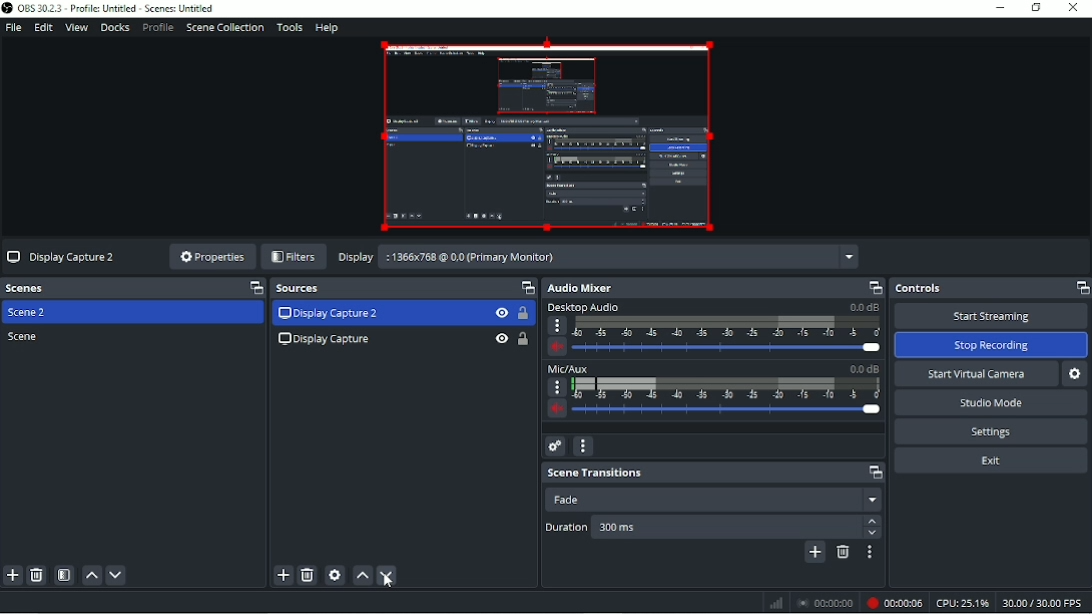 The height and width of the screenshot is (614, 1092). I want to click on Display Capture 2, so click(330, 314).